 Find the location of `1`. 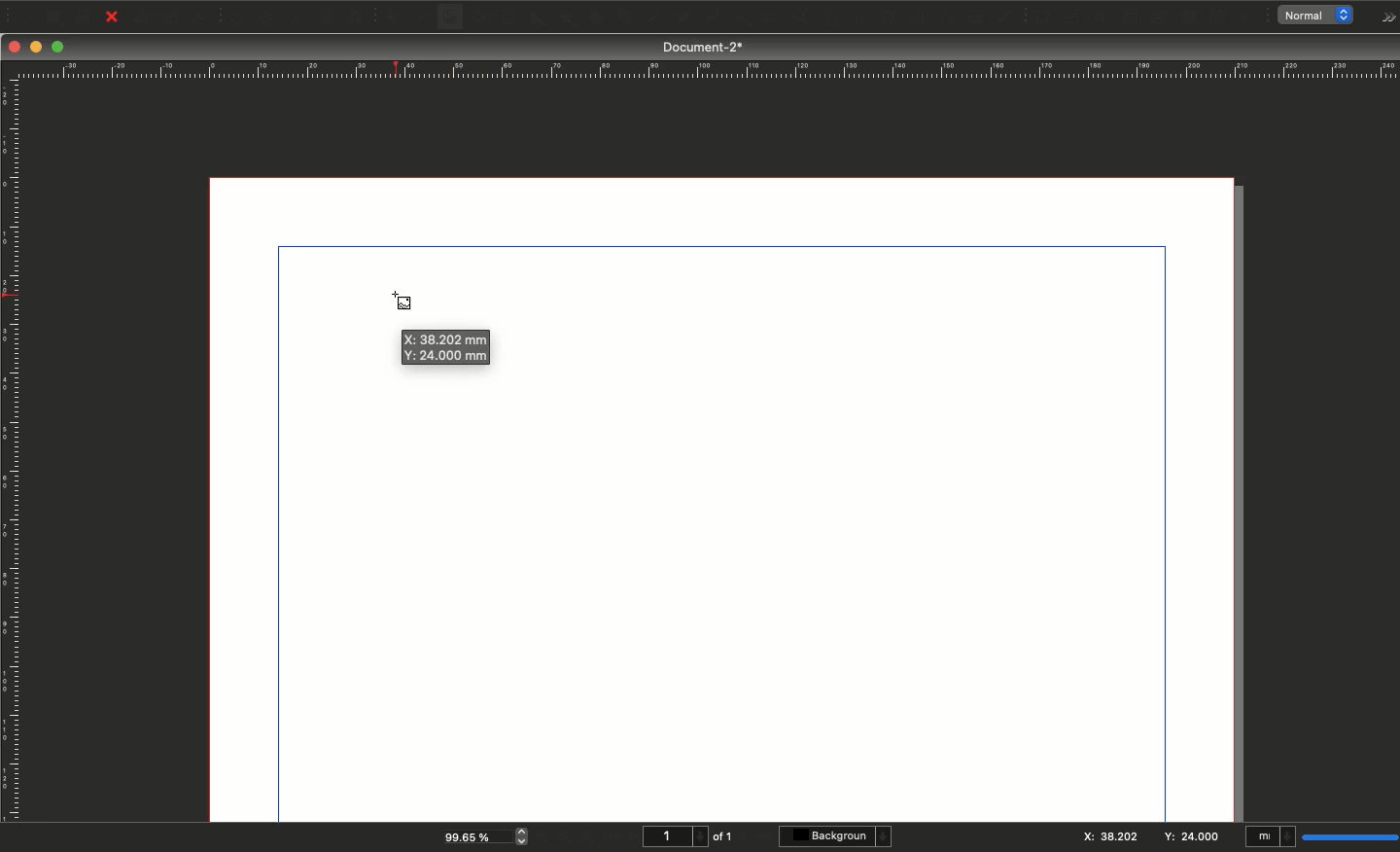

1 is located at coordinates (673, 836).